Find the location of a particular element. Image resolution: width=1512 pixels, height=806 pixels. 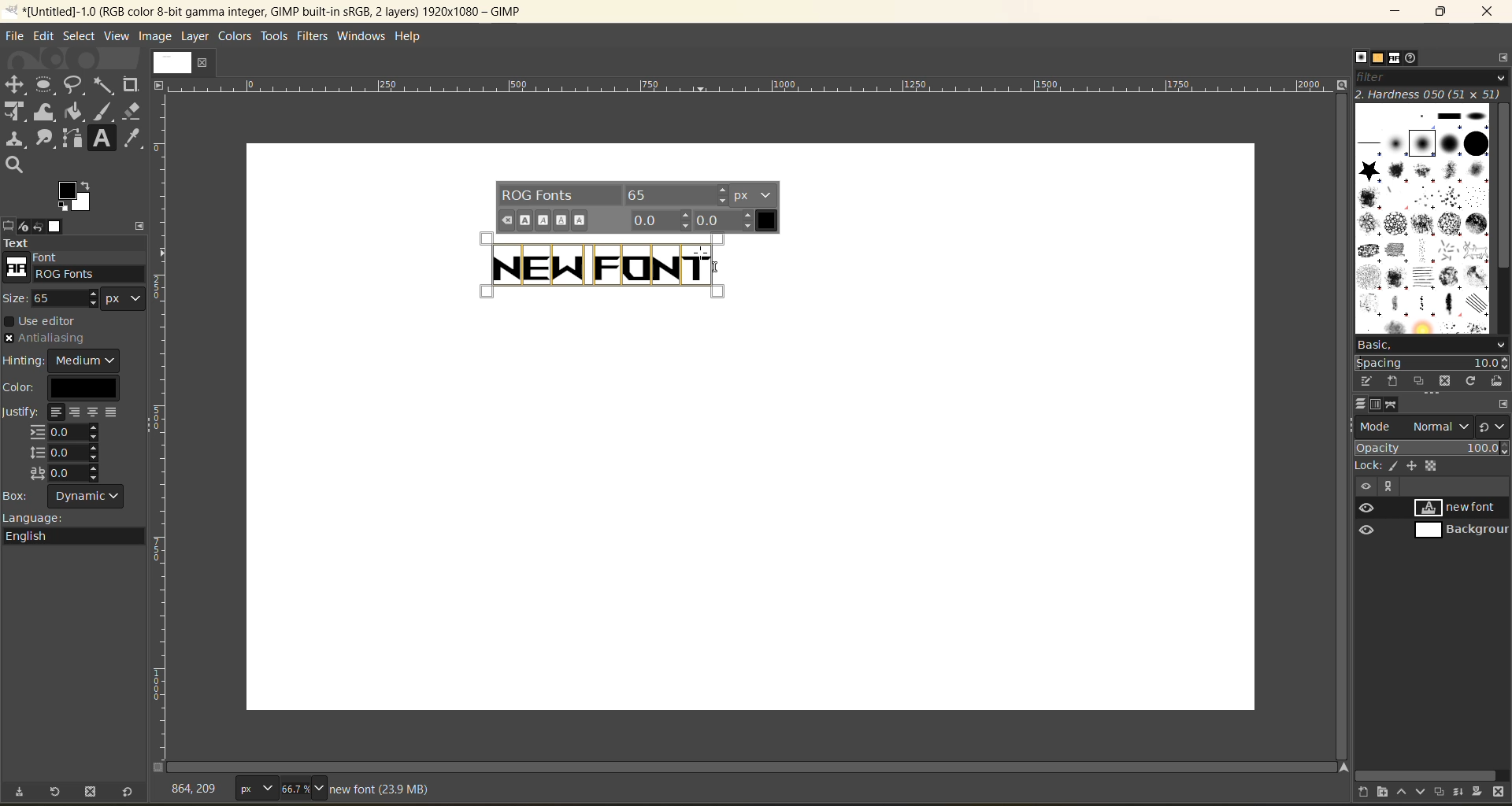

save tool preset is located at coordinates (24, 790).